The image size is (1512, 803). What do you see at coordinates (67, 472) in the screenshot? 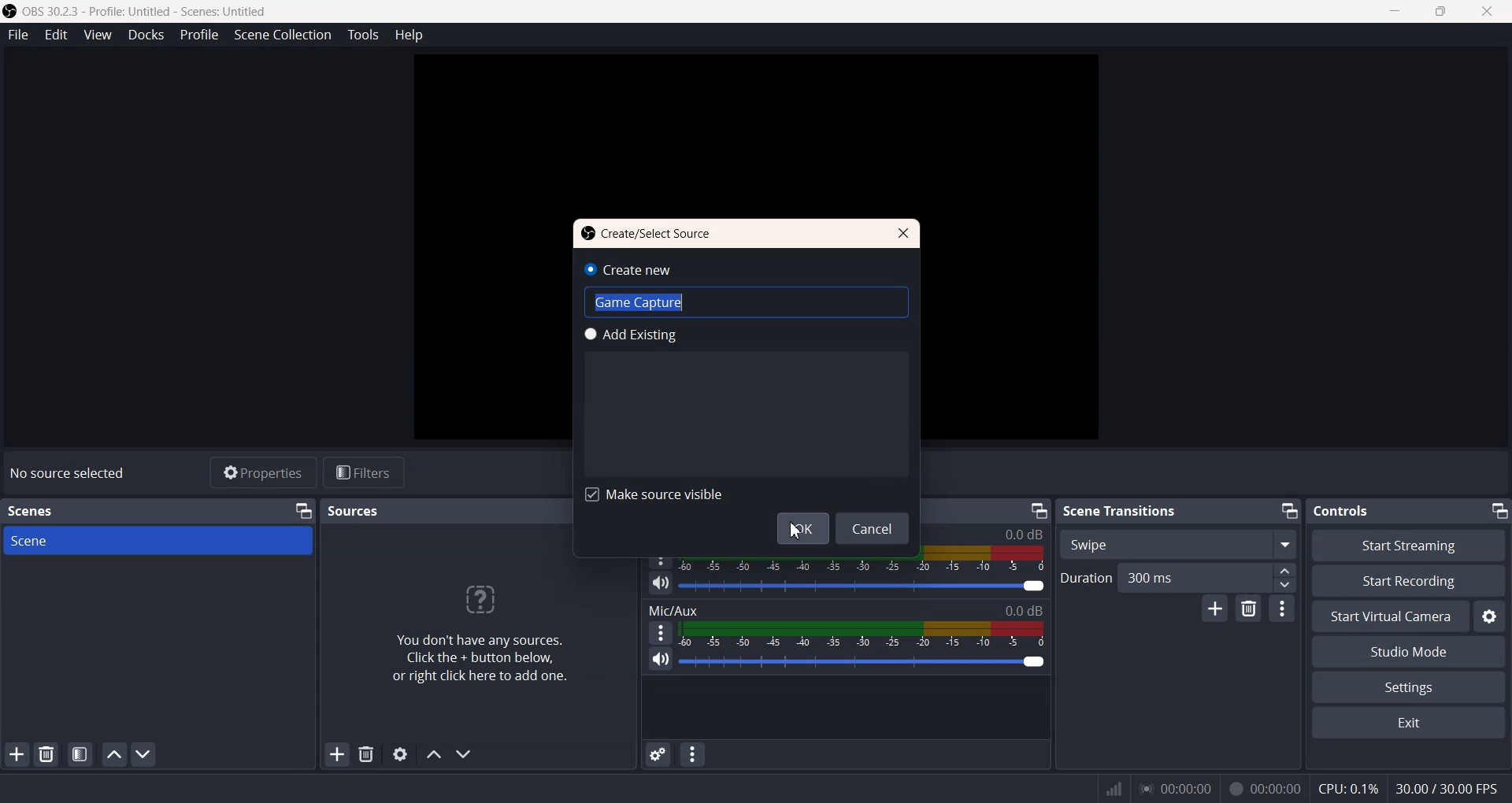
I see `Text` at bounding box center [67, 472].